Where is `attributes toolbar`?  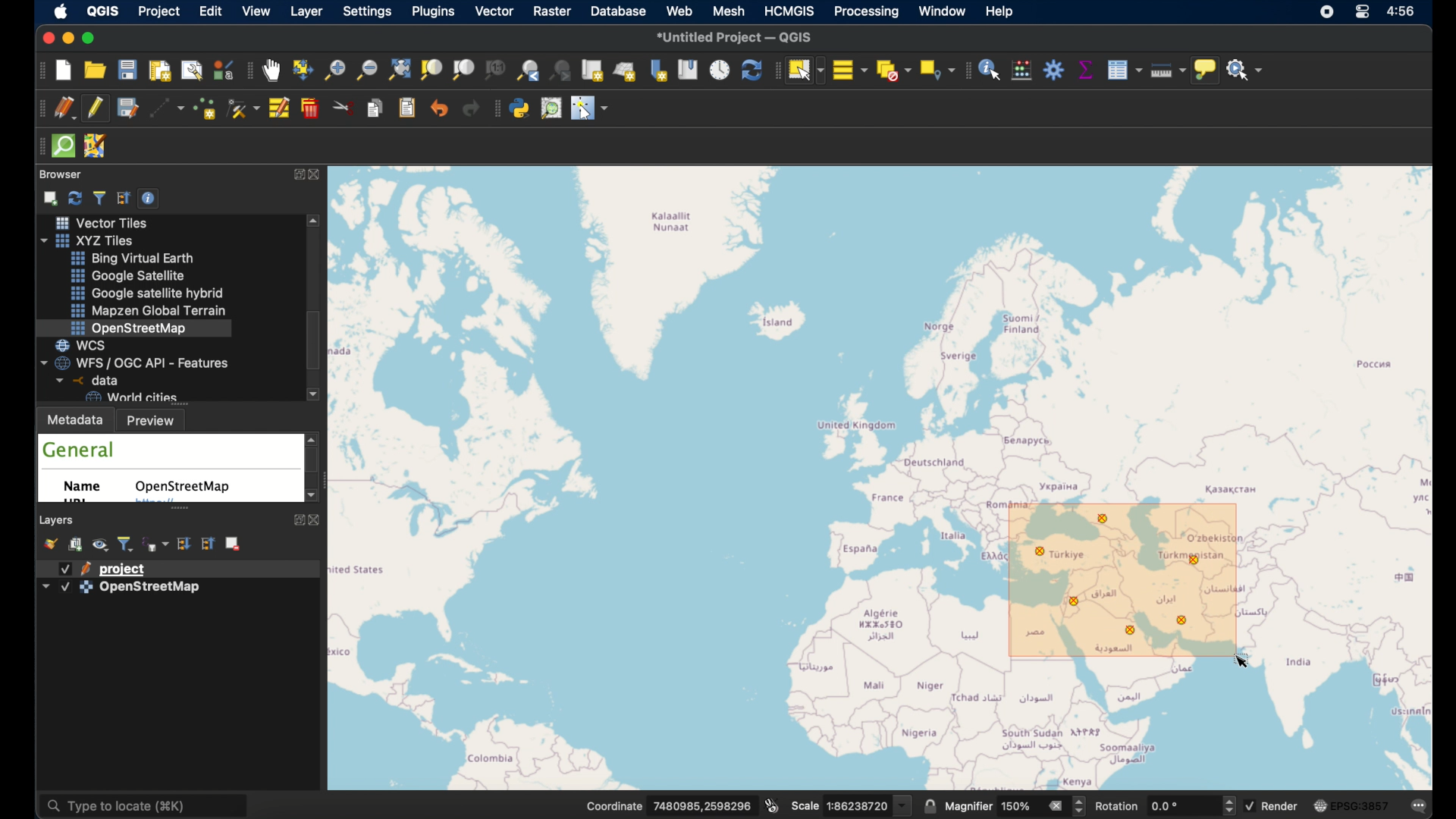
attributes toolbar is located at coordinates (966, 71).